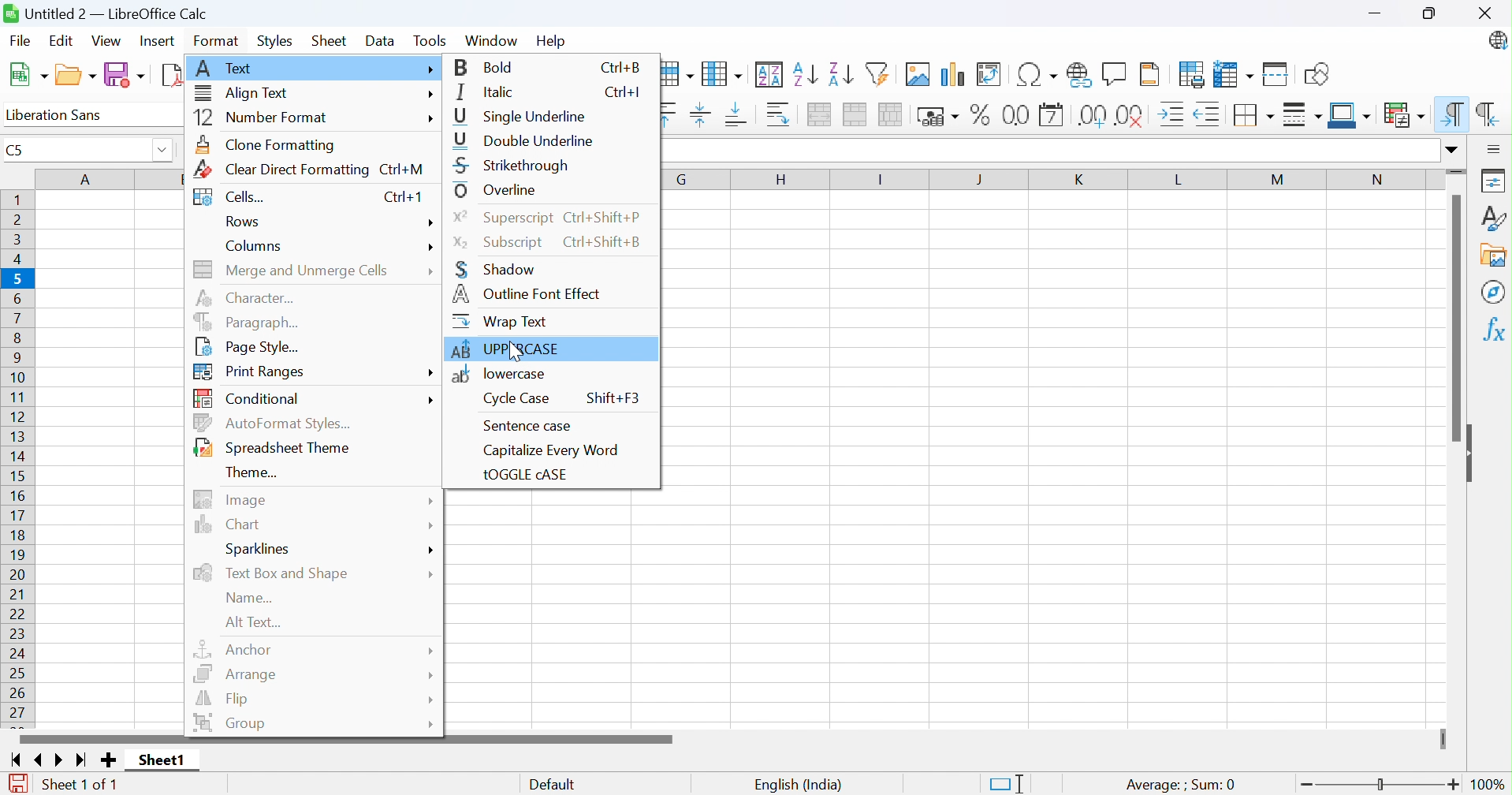  What do you see at coordinates (232, 499) in the screenshot?
I see `Image` at bounding box center [232, 499].